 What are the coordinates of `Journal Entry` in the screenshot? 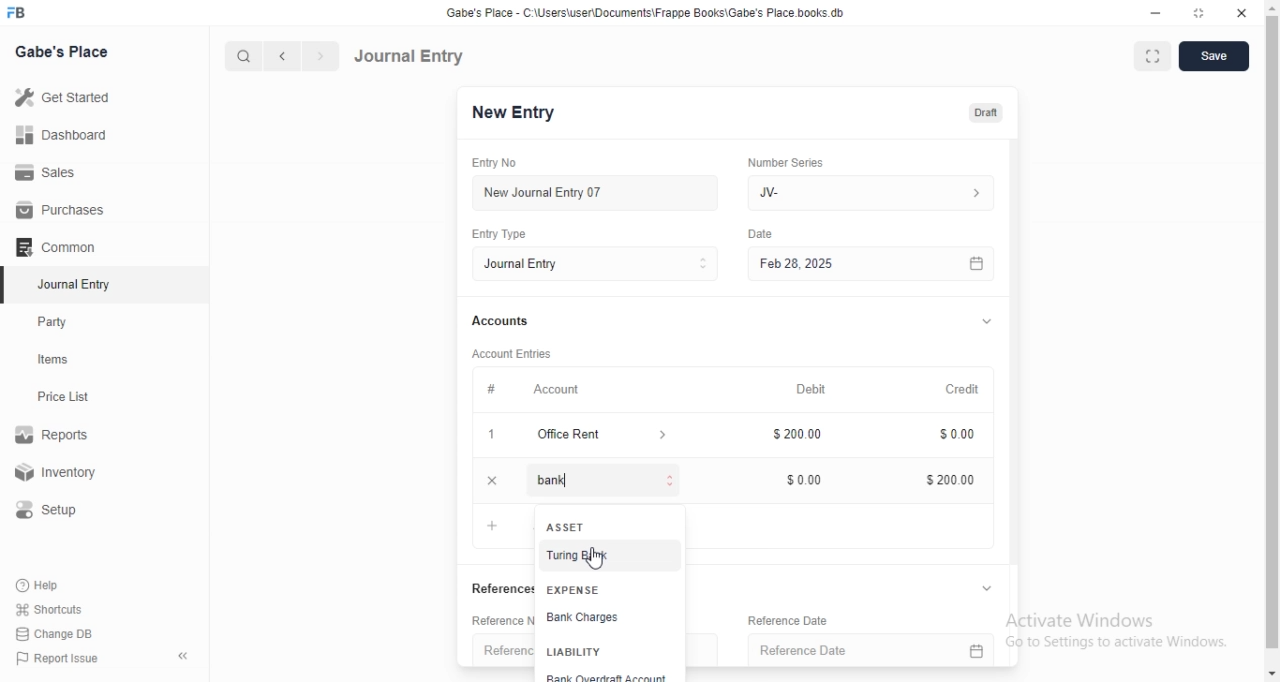 It's located at (409, 56).